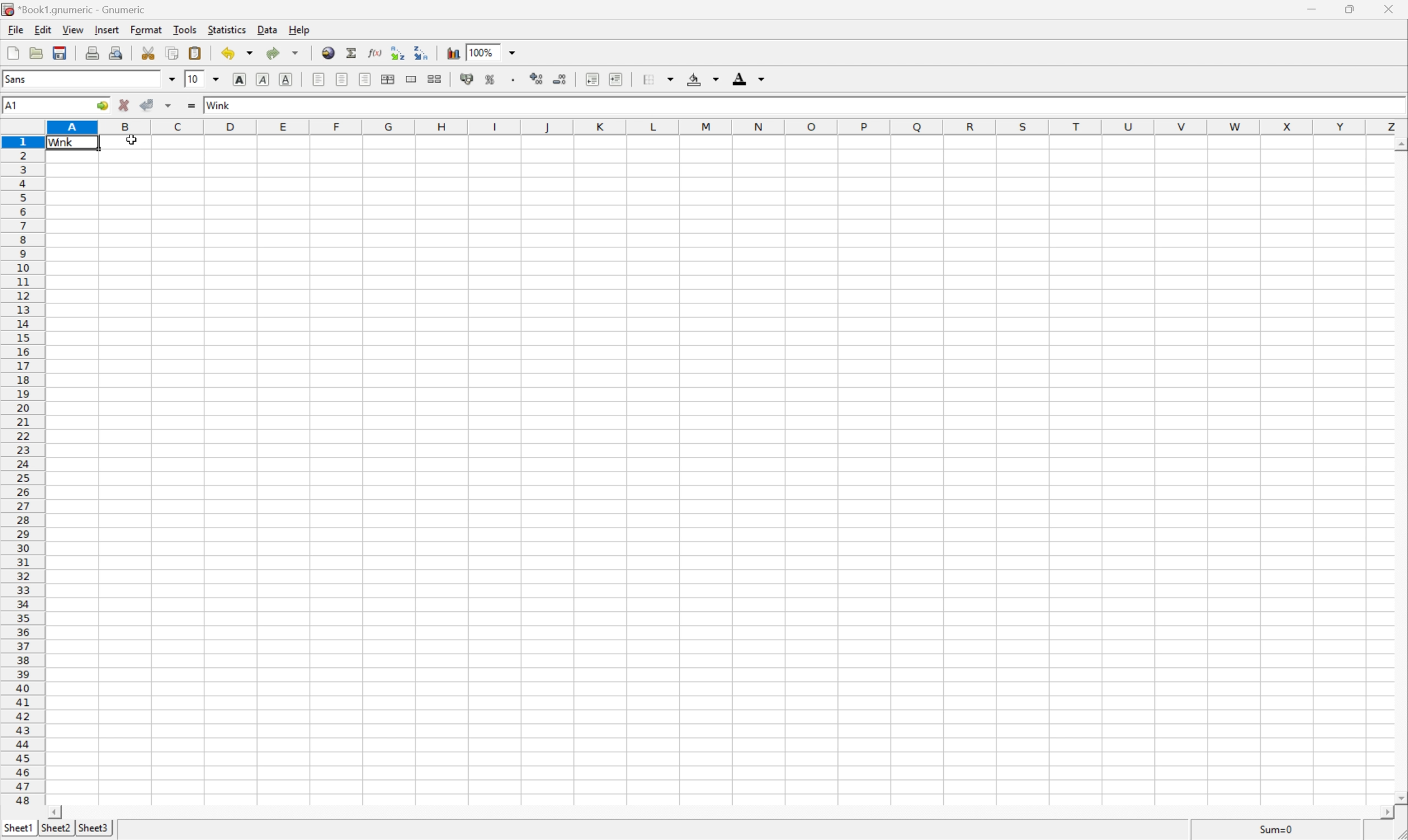 This screenshot has width=1408, height=840. What do you see at coordinates (61, 143) in the screenshot?
I see `wink` at bounding box center [61, 143].